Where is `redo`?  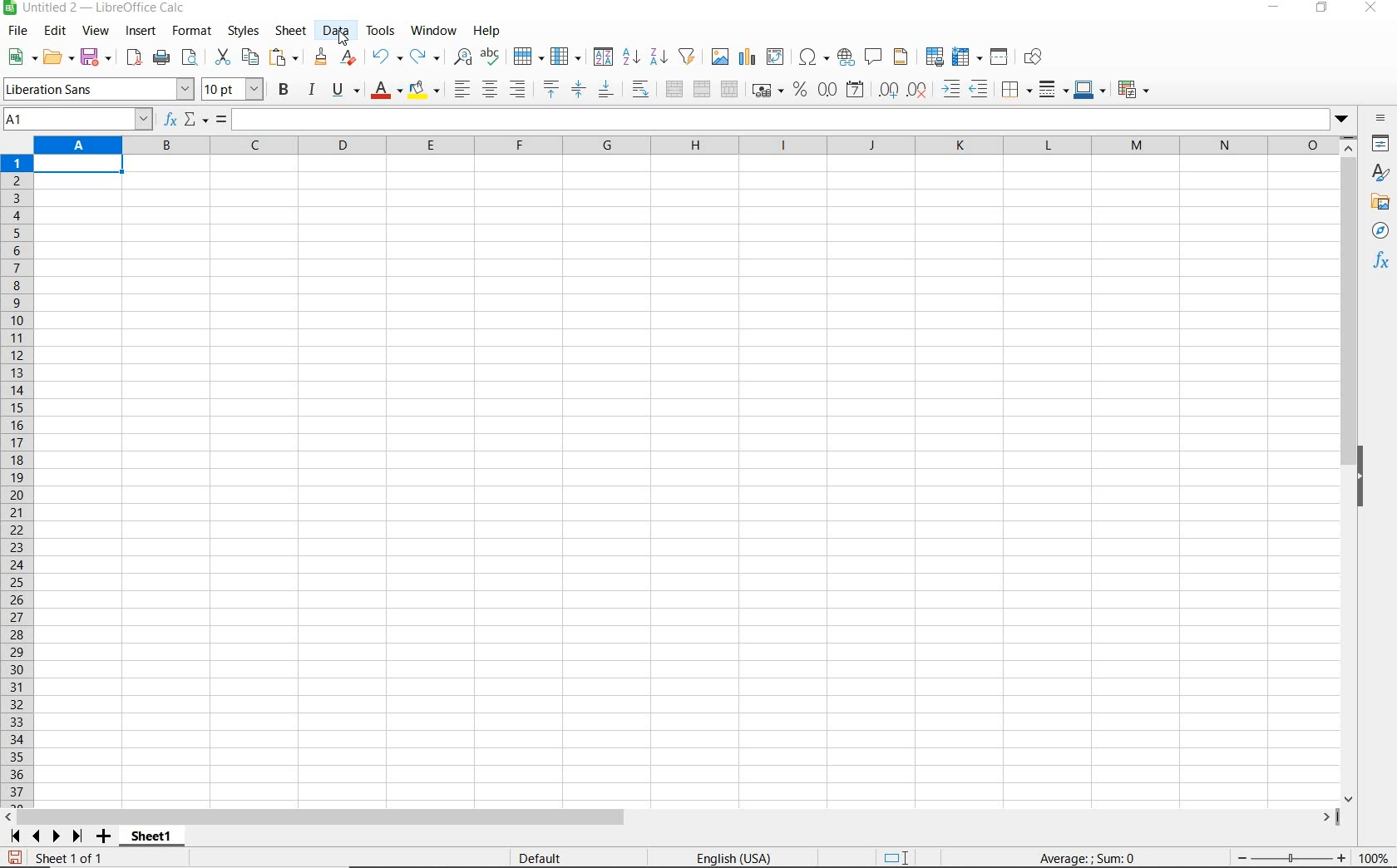
redo is located at coordinates (424, 57).